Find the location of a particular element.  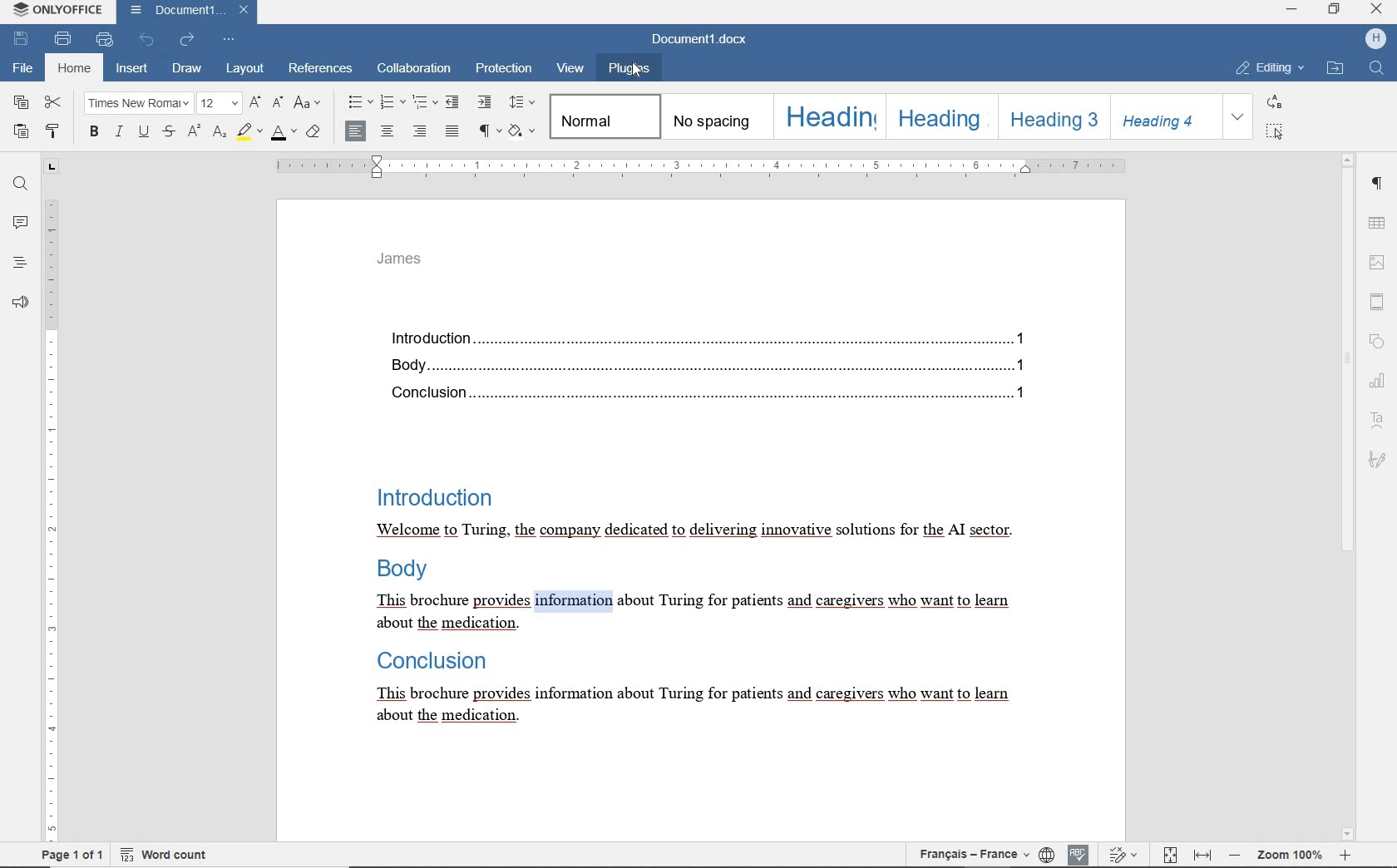

zoom in is located at coordinates (1349, 856).